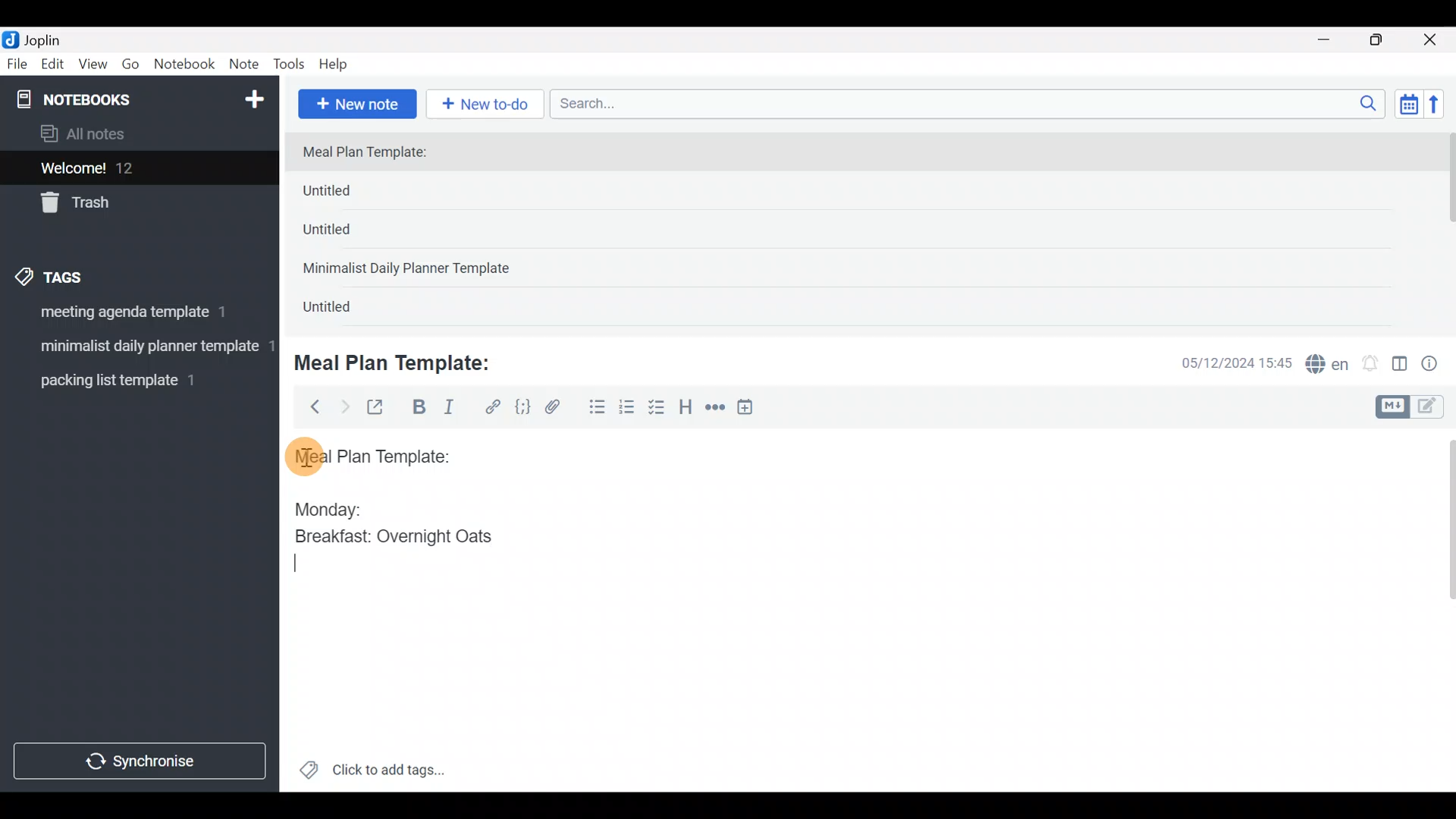  Describe the element at coordinates (411, 270) in the screenshot. I see `Minimalist Daily Planner Template` at that location.